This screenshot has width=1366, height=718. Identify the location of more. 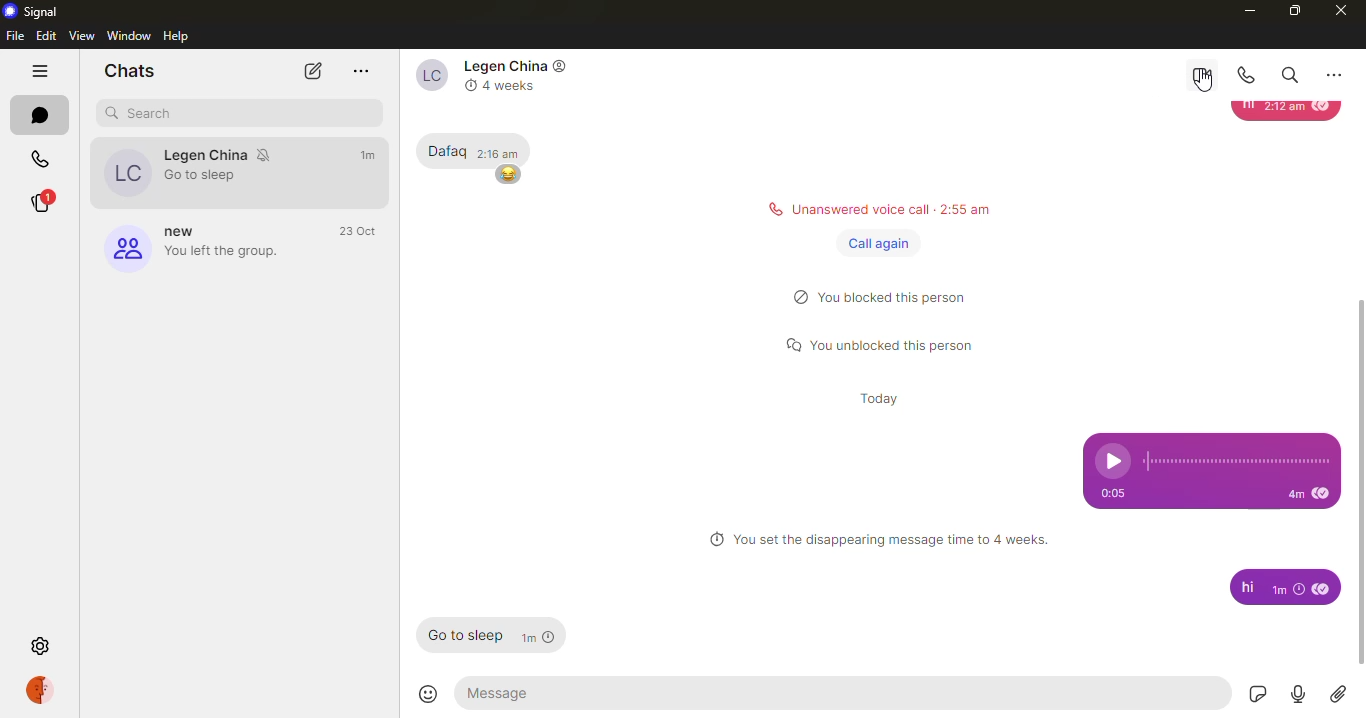
(1335, 73).